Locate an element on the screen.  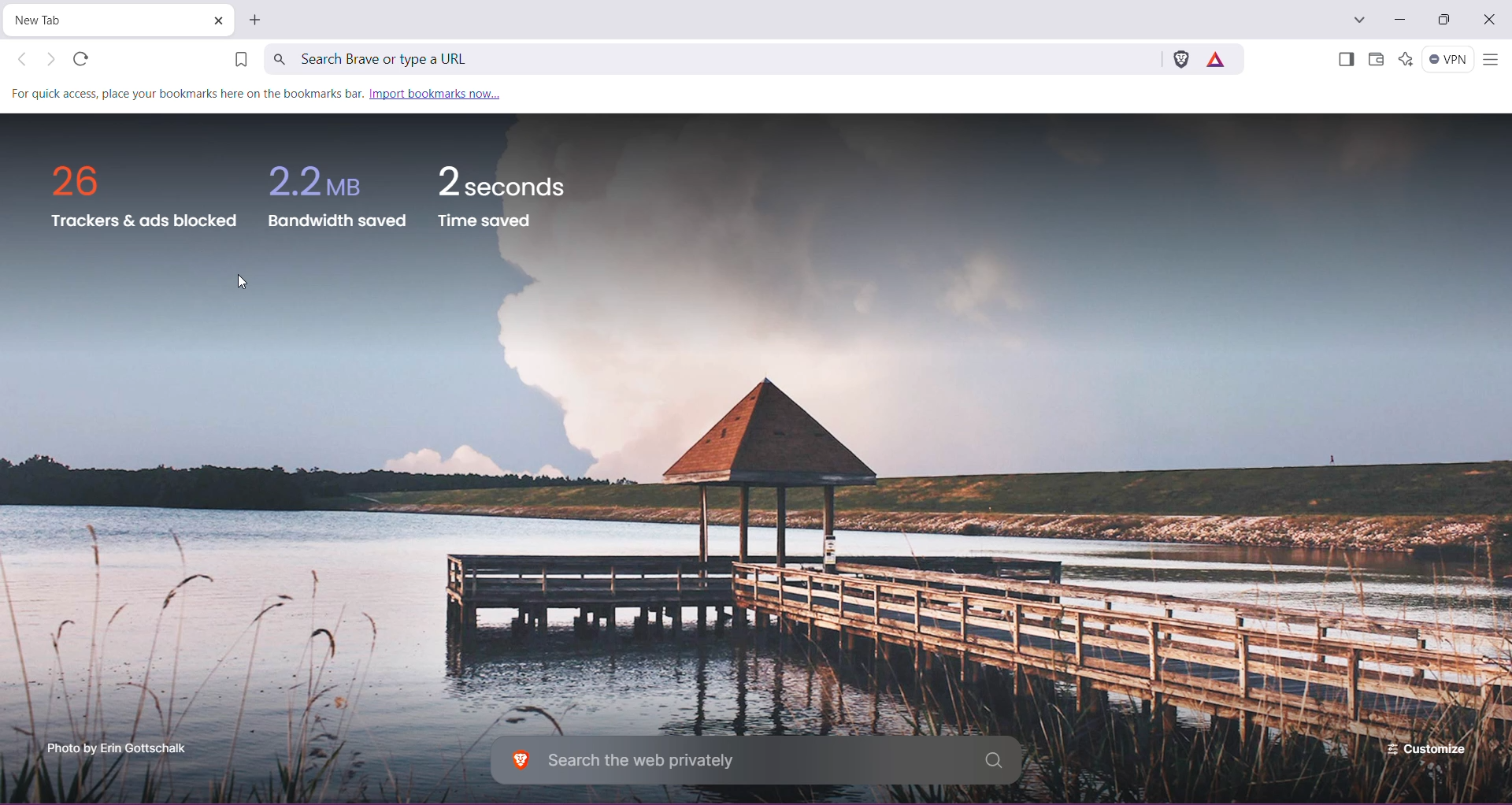
2 seconds time saved is located at coordinates (506, 198).